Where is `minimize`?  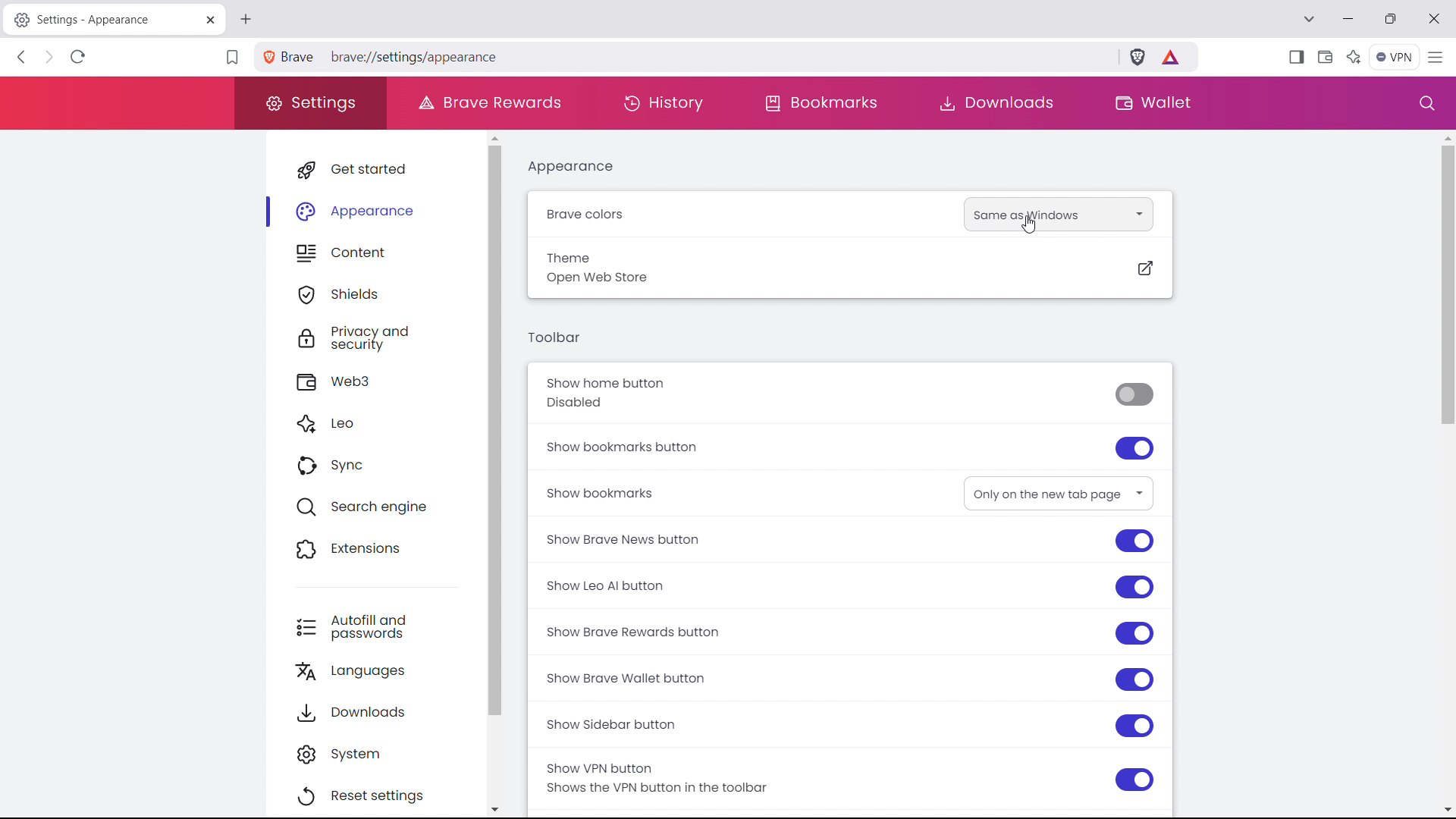
minimize is located at coordinates (1348, 18).